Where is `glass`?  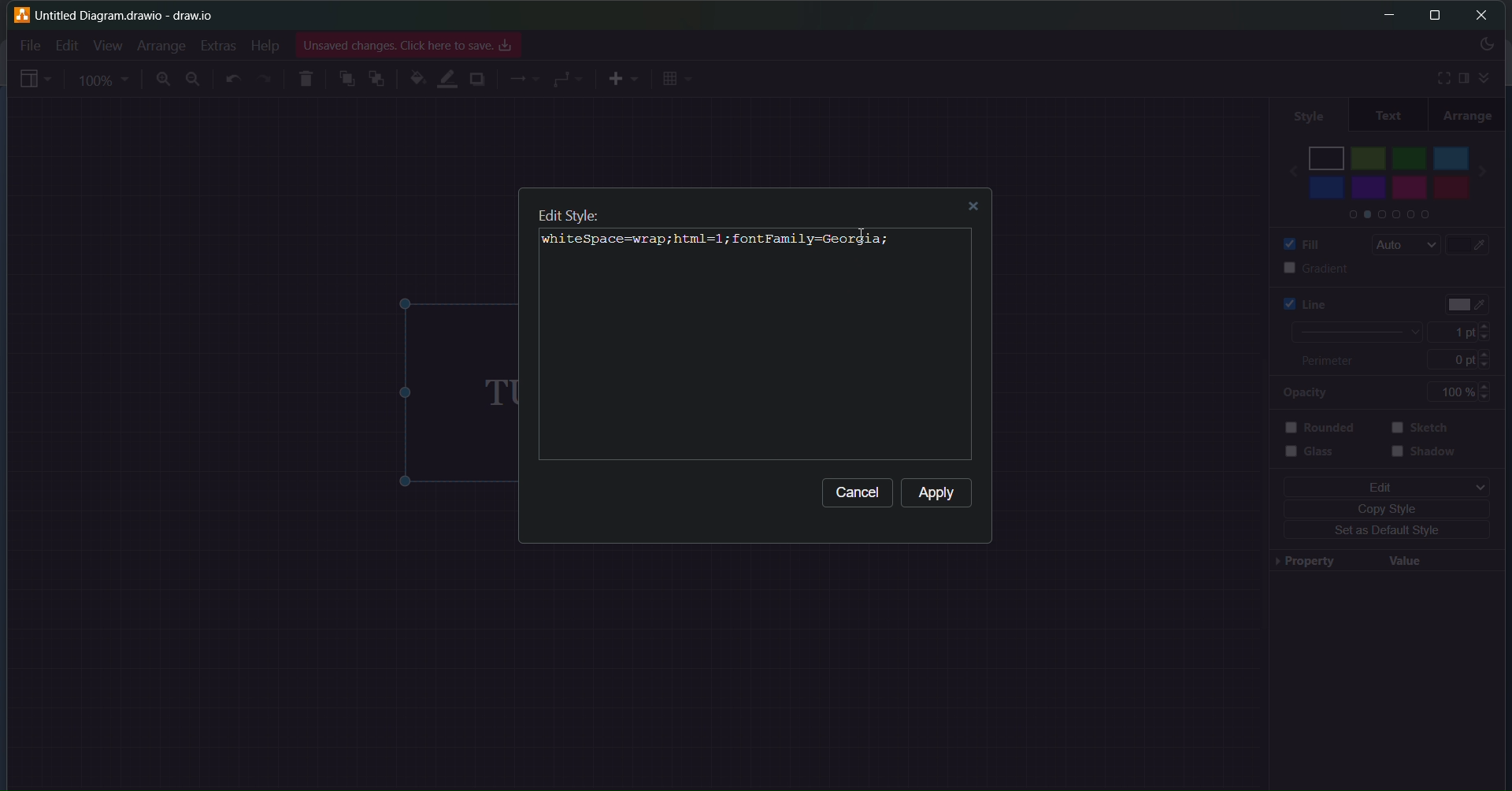 glass is located at coordinates (1320, 458).